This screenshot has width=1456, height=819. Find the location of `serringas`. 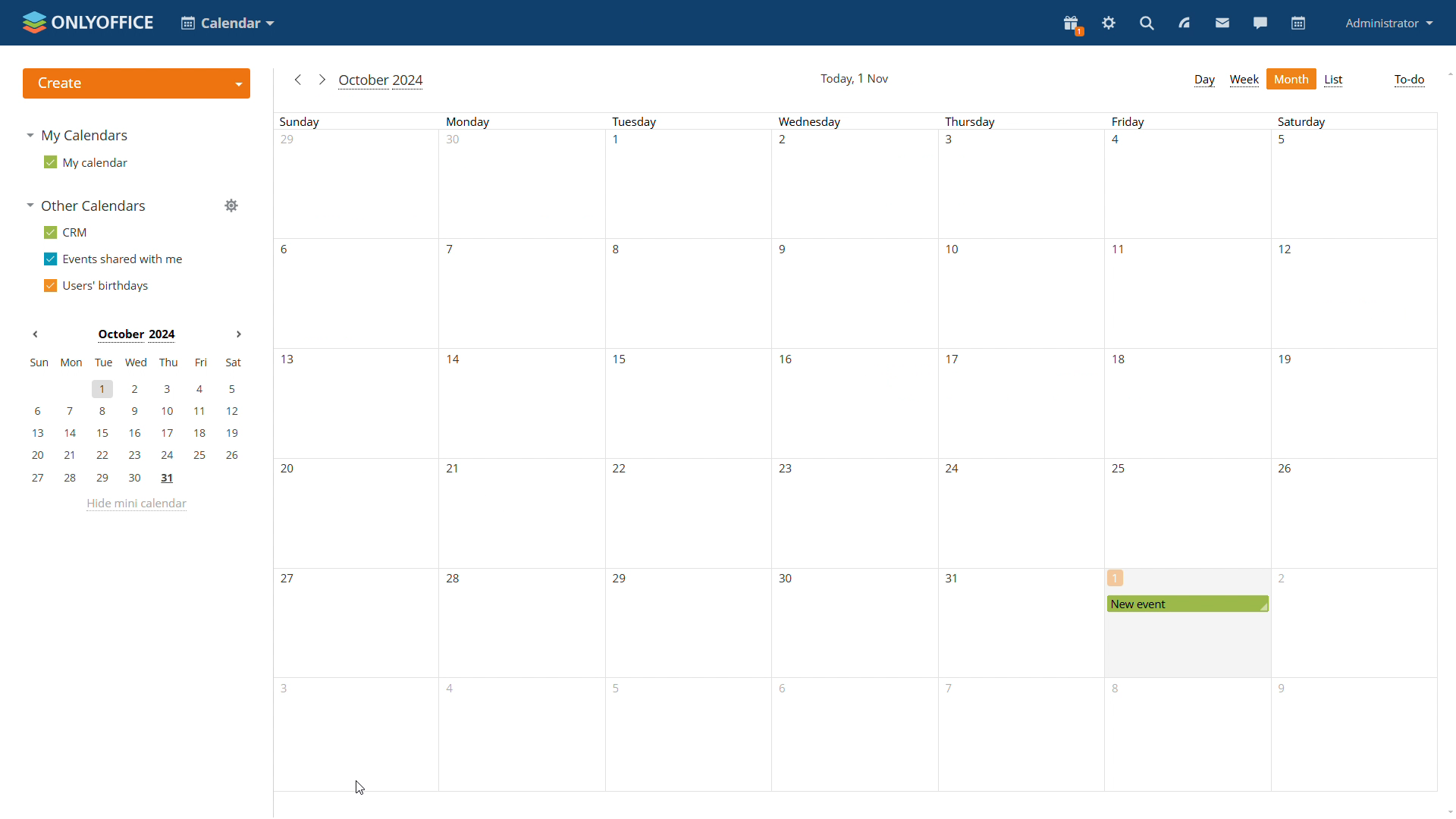

serringas is located at coordinates (1109, 24).